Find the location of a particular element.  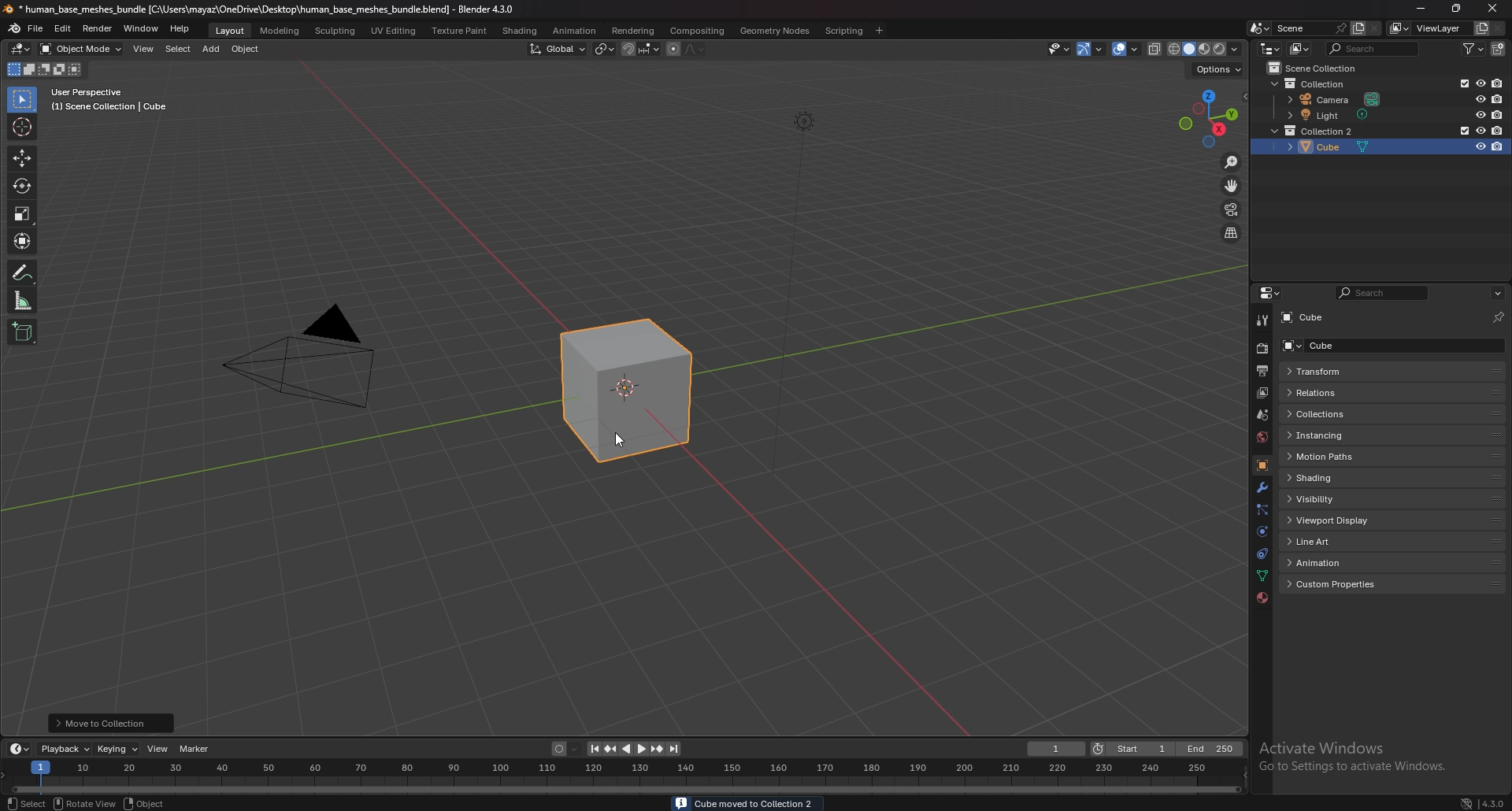

modeling is located at coordinates (281, 31).